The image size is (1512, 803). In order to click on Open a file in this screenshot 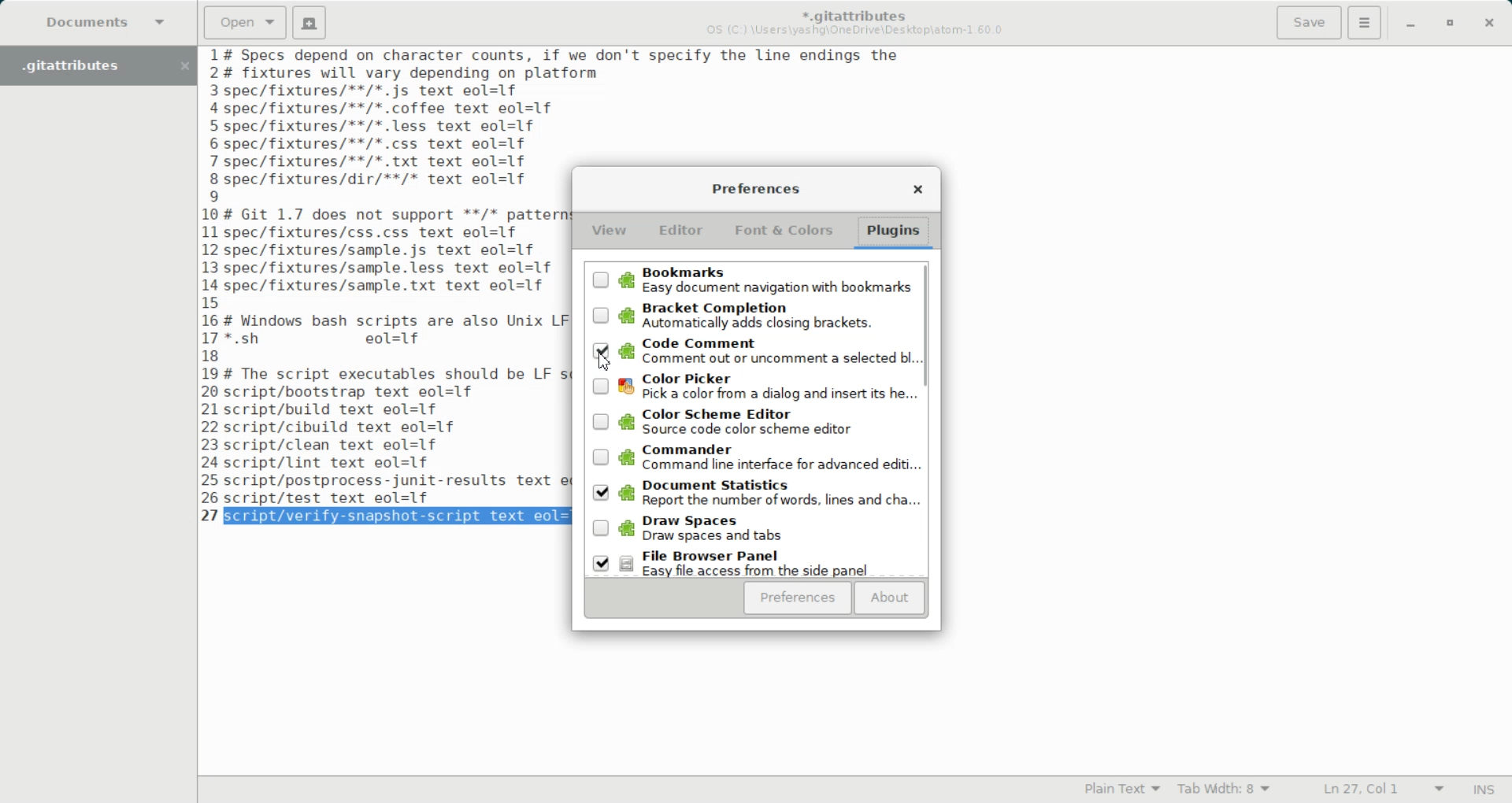, I will do `click(245, 21)`.